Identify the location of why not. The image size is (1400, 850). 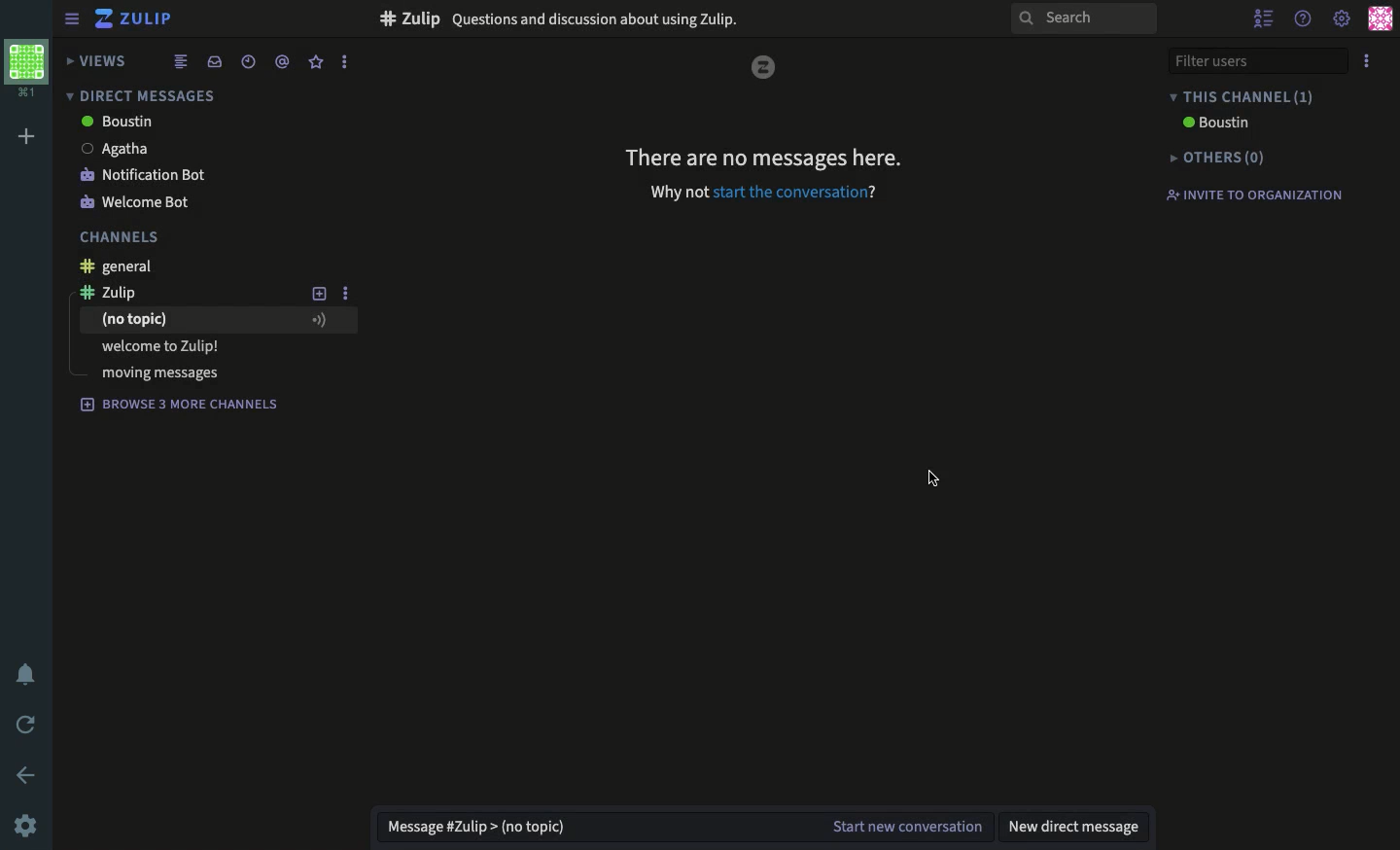
(676, 195).